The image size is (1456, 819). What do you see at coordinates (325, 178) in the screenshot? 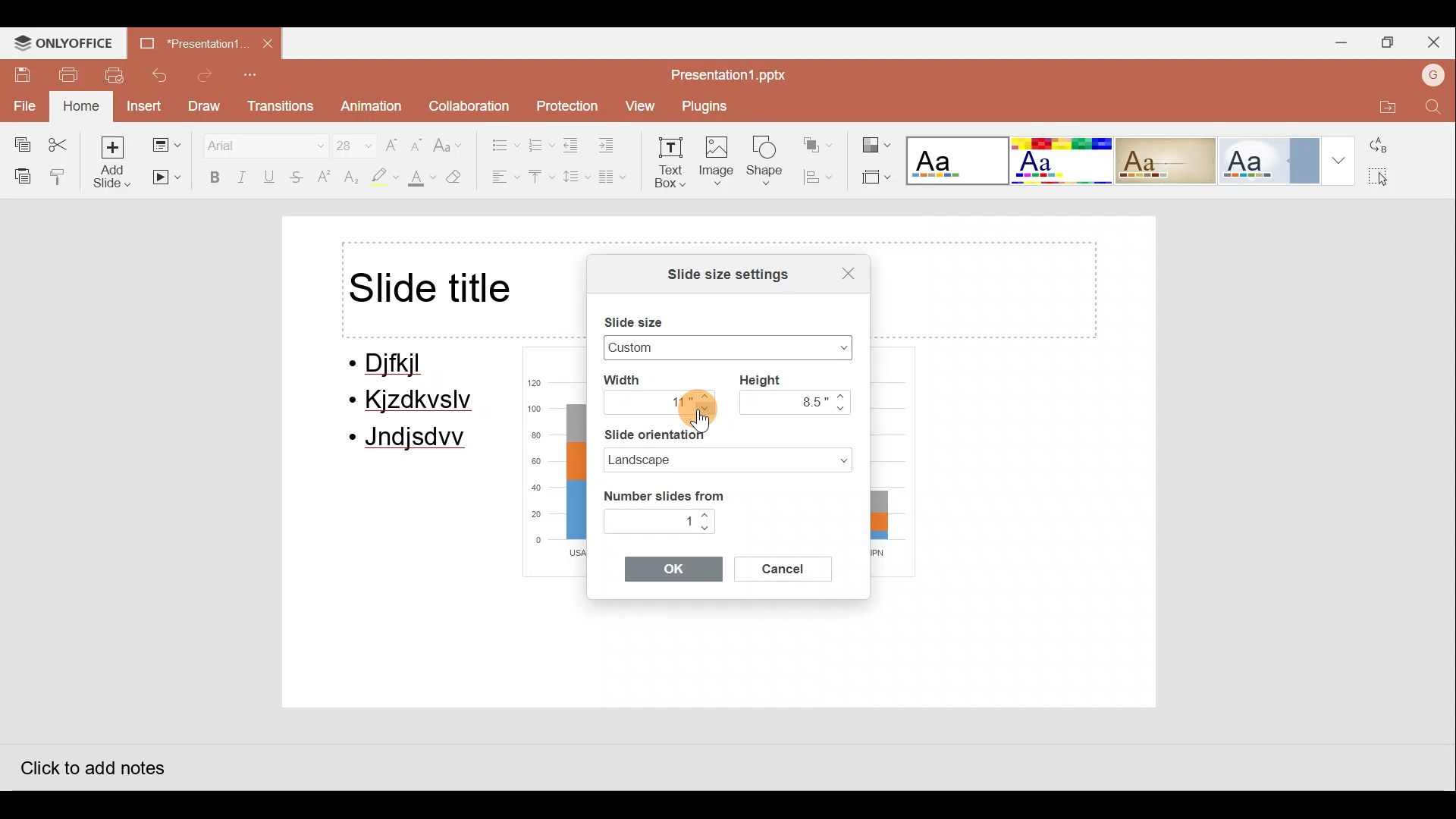
I see `Superscript` at bounding box center [325, 178].